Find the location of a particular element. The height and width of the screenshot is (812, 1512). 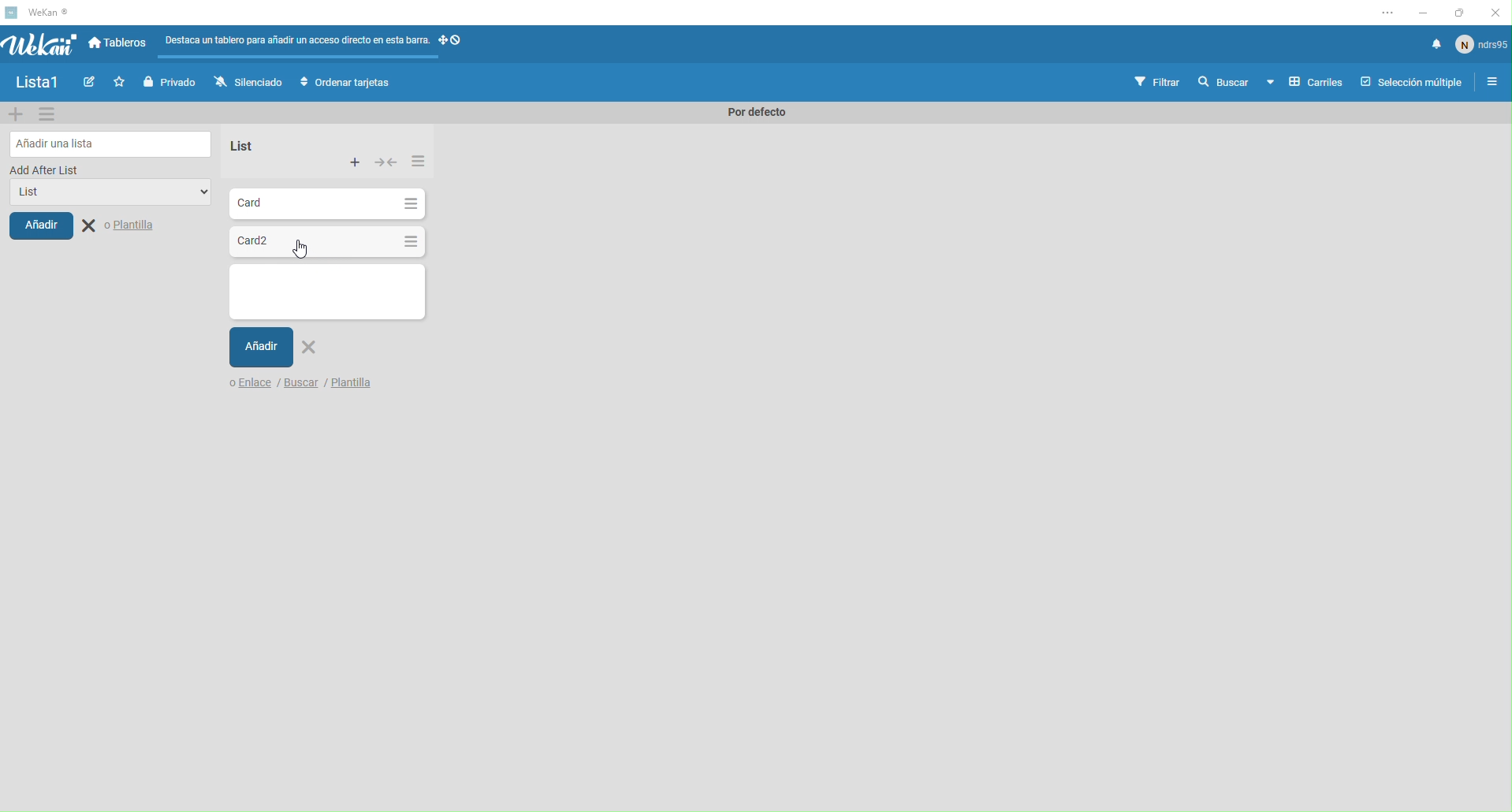

Options is located at coordinates (409, 203).